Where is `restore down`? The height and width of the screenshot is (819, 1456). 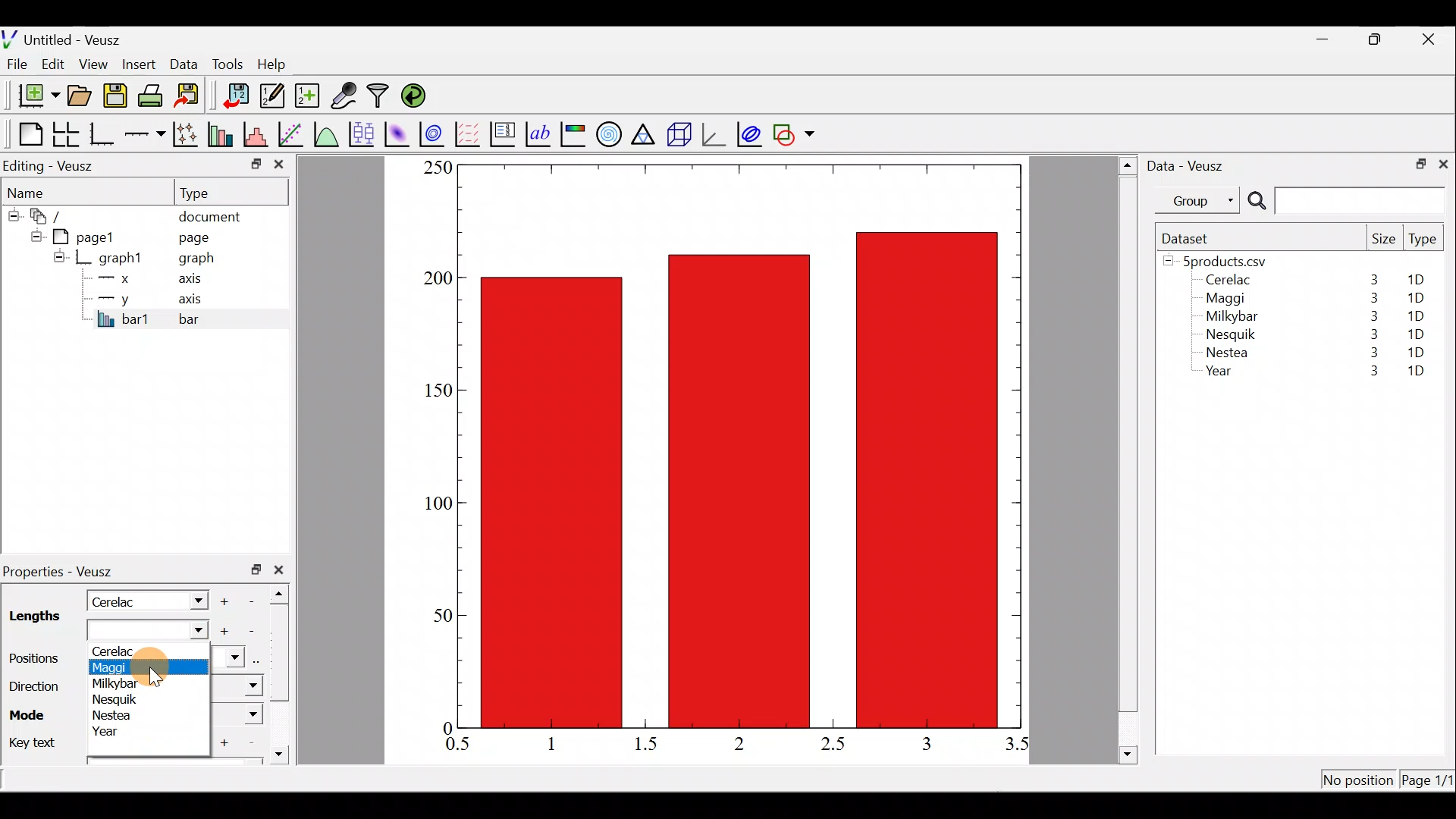 restore down is located at coordinates (256, 570).